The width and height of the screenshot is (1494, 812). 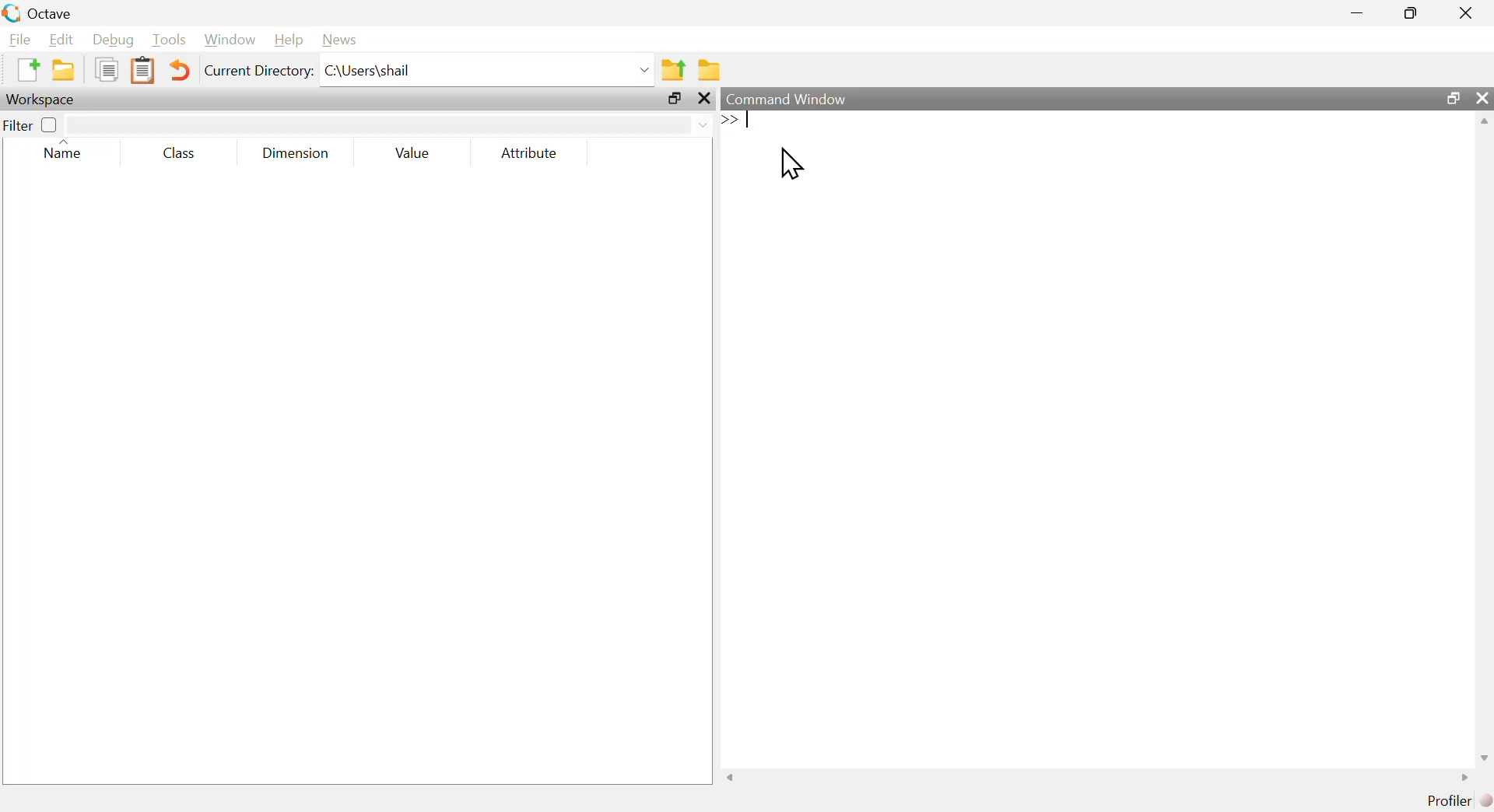 I want to click on octave logo, so click(x=11, y=12).